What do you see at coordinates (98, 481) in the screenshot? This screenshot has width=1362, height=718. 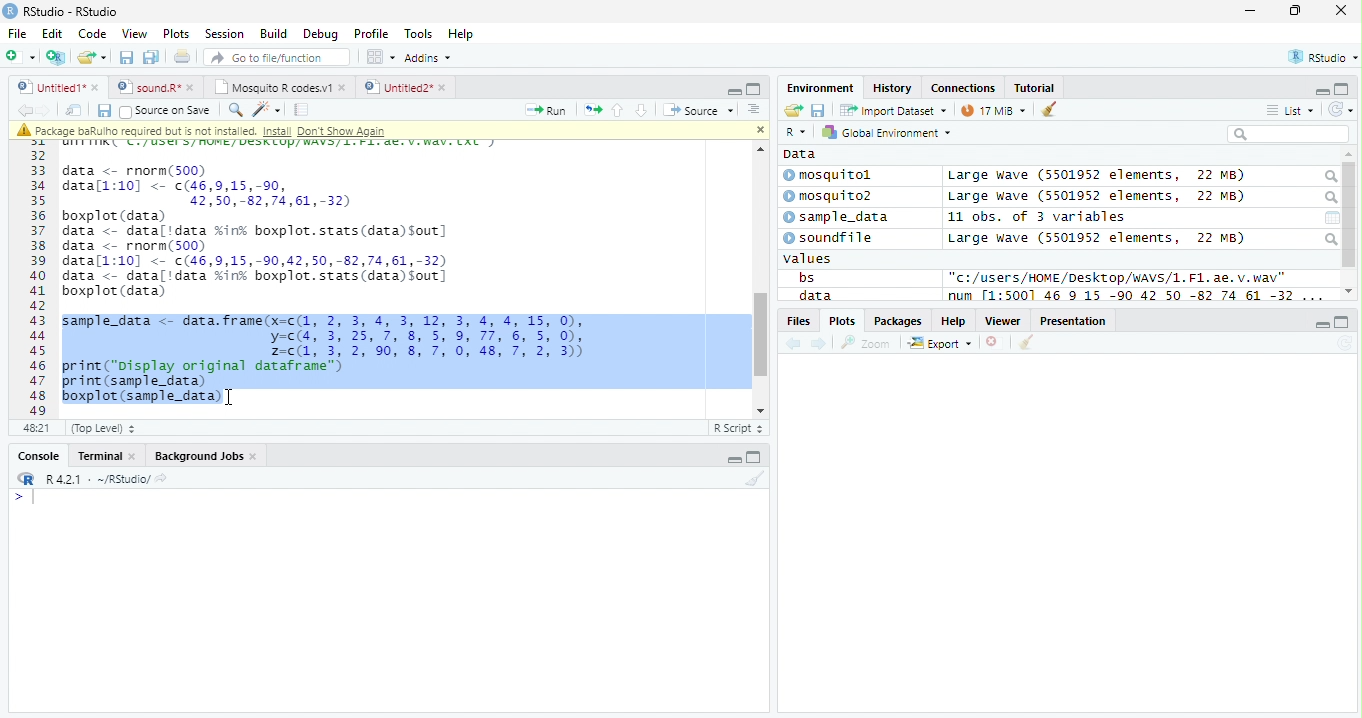 I see `R 4.2.1 - ~/RStudio/` at bounding box center [98, 481].